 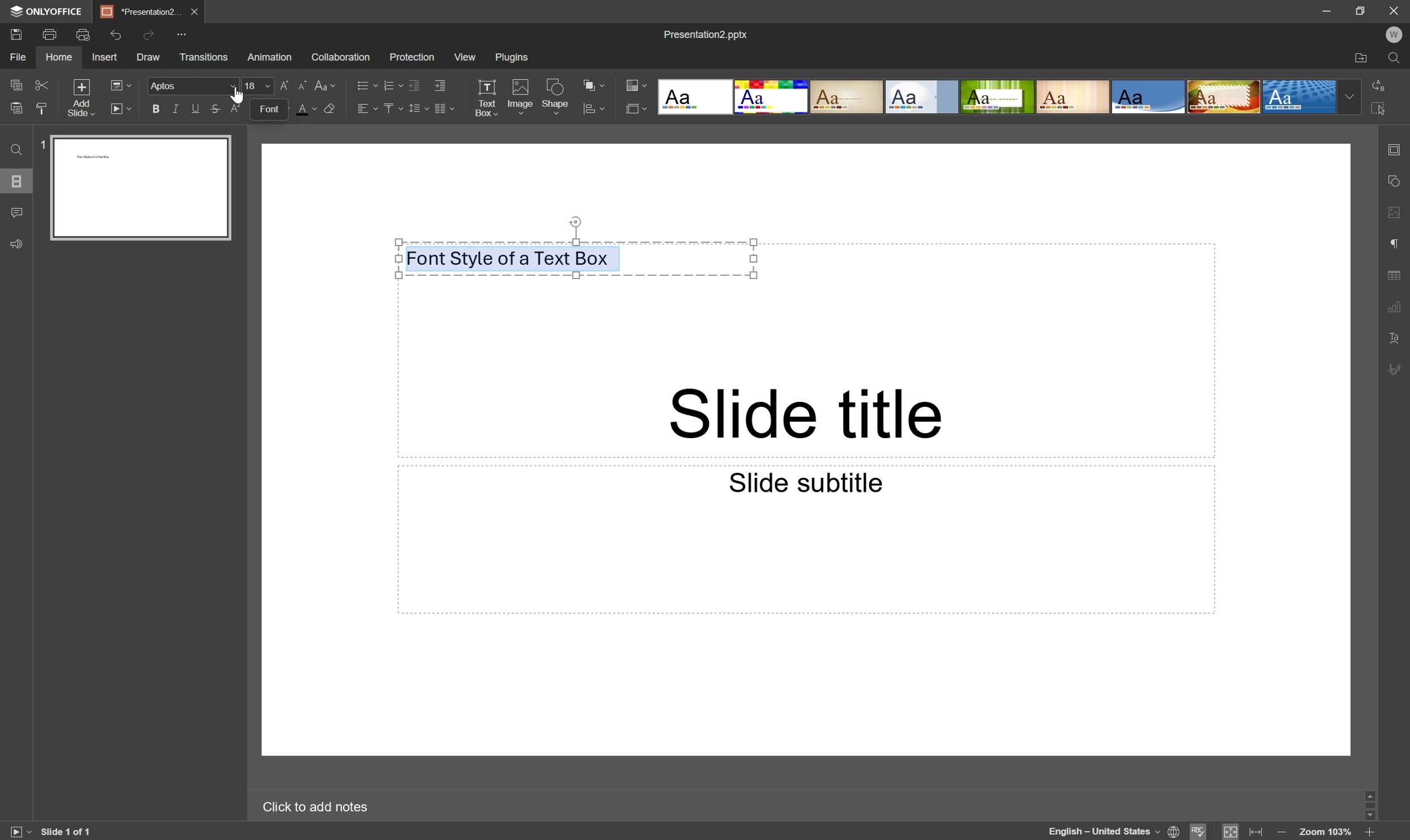 What do you see at coordinates (1199, 831) in the screenshot?
I see `Spell Checking` at bounding box center [1199, 831].